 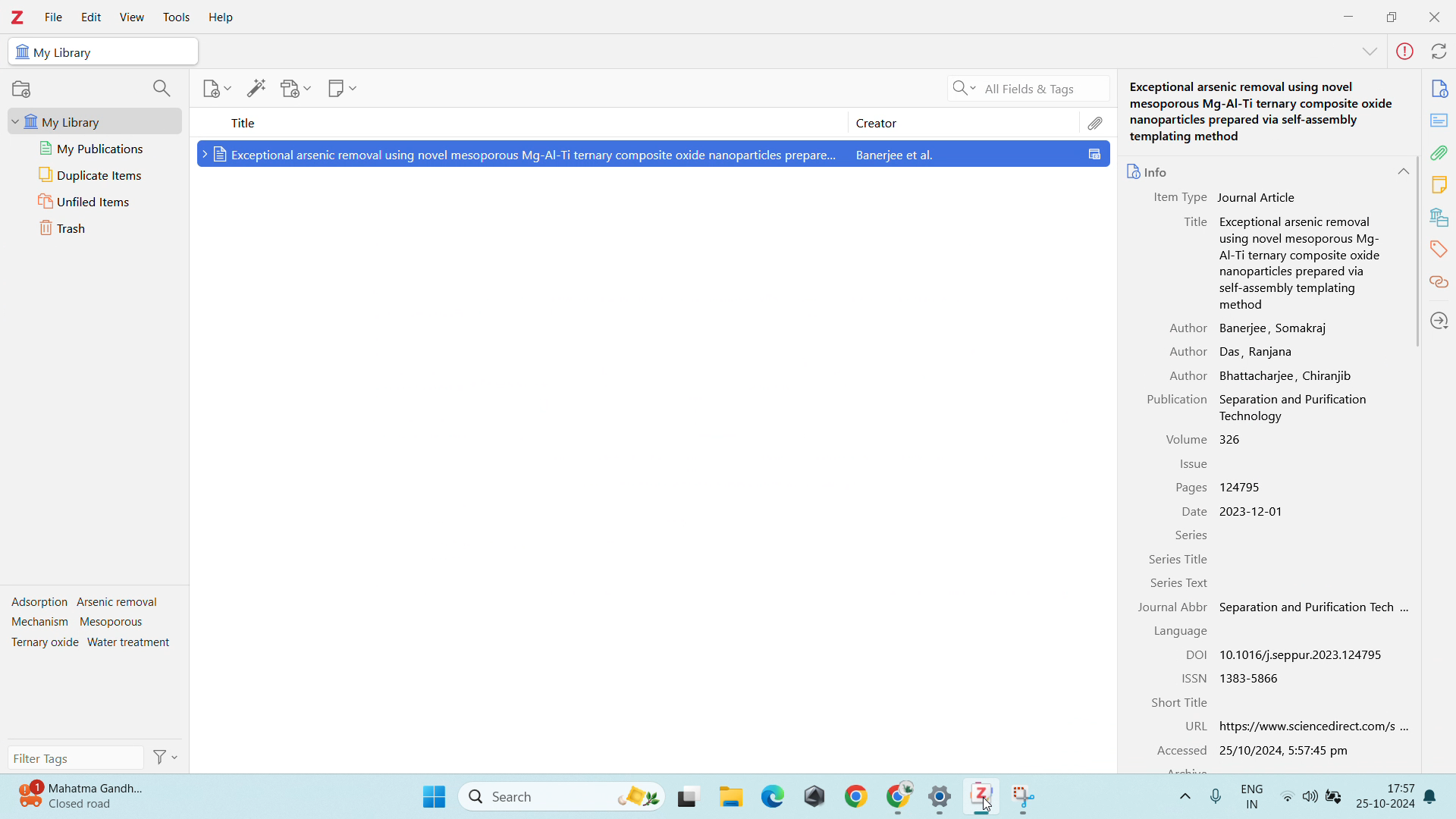 I want to click on edit, so click(x=91, y=17).